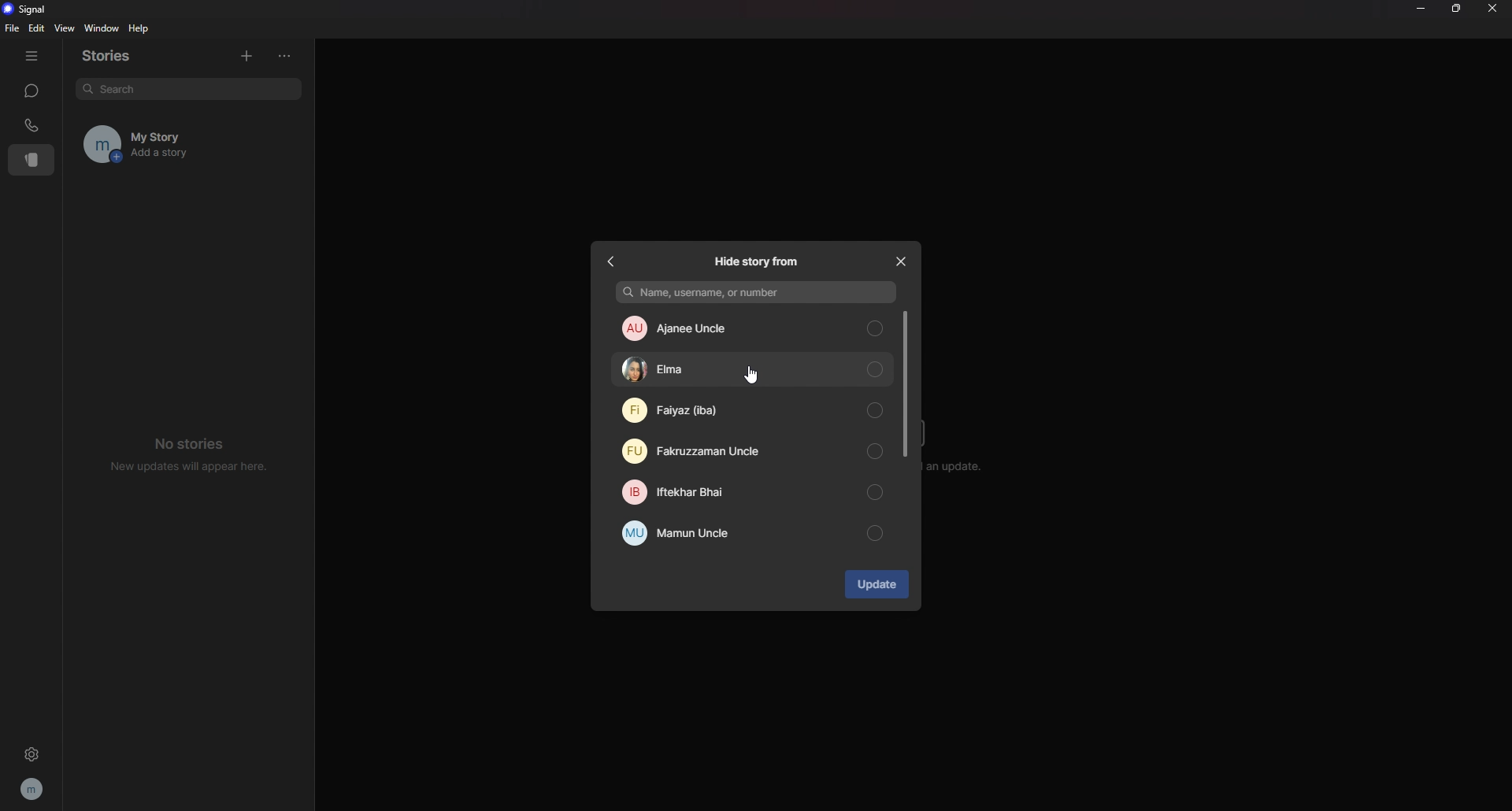 This screenshot has height=811, width=1512. What do you see at coordinates (876, 584) in the screenshot?
I see `update` at bounding box center [876, 584].